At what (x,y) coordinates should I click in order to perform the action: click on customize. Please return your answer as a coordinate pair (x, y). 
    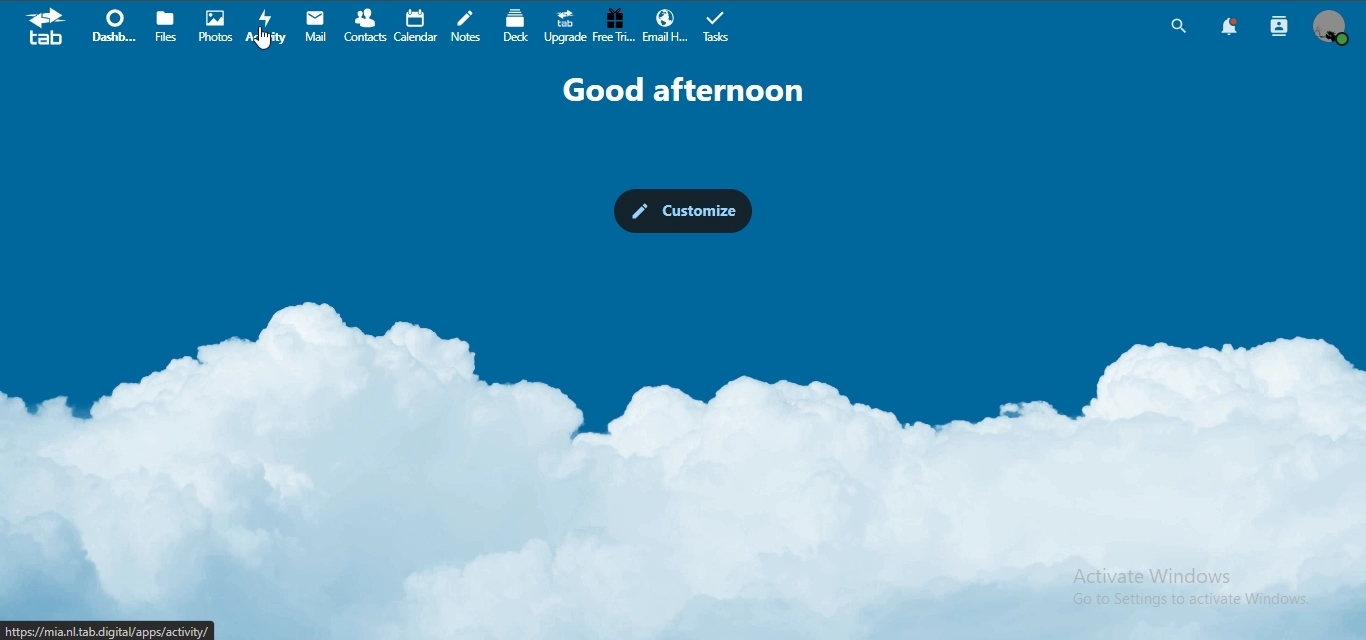
    Looking at the image, I should click on (682, 211).